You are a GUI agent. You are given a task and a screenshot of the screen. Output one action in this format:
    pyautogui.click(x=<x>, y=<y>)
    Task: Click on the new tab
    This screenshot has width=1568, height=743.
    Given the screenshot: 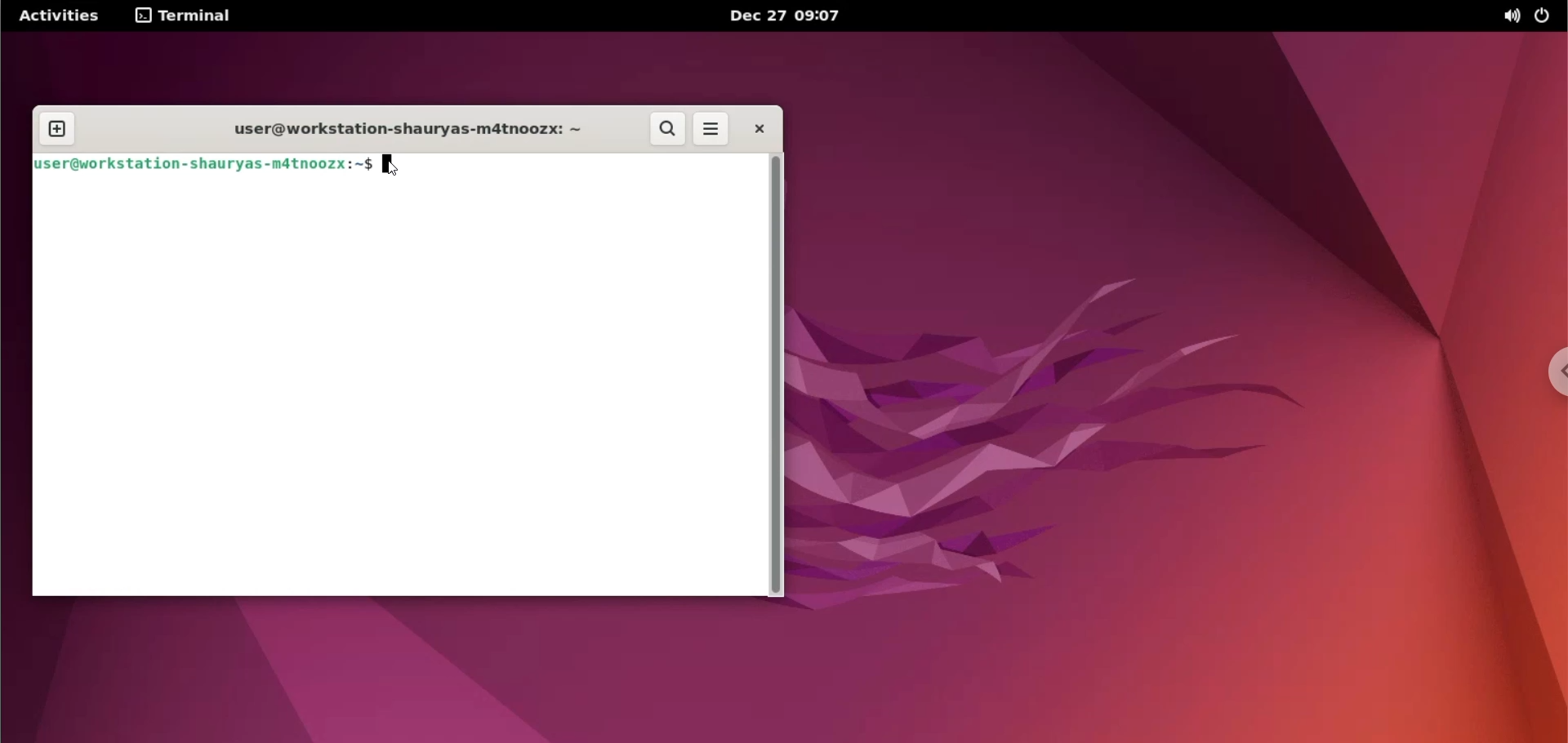 What is the action you would take?
    pyautogui.click(x=51, y=130)
    